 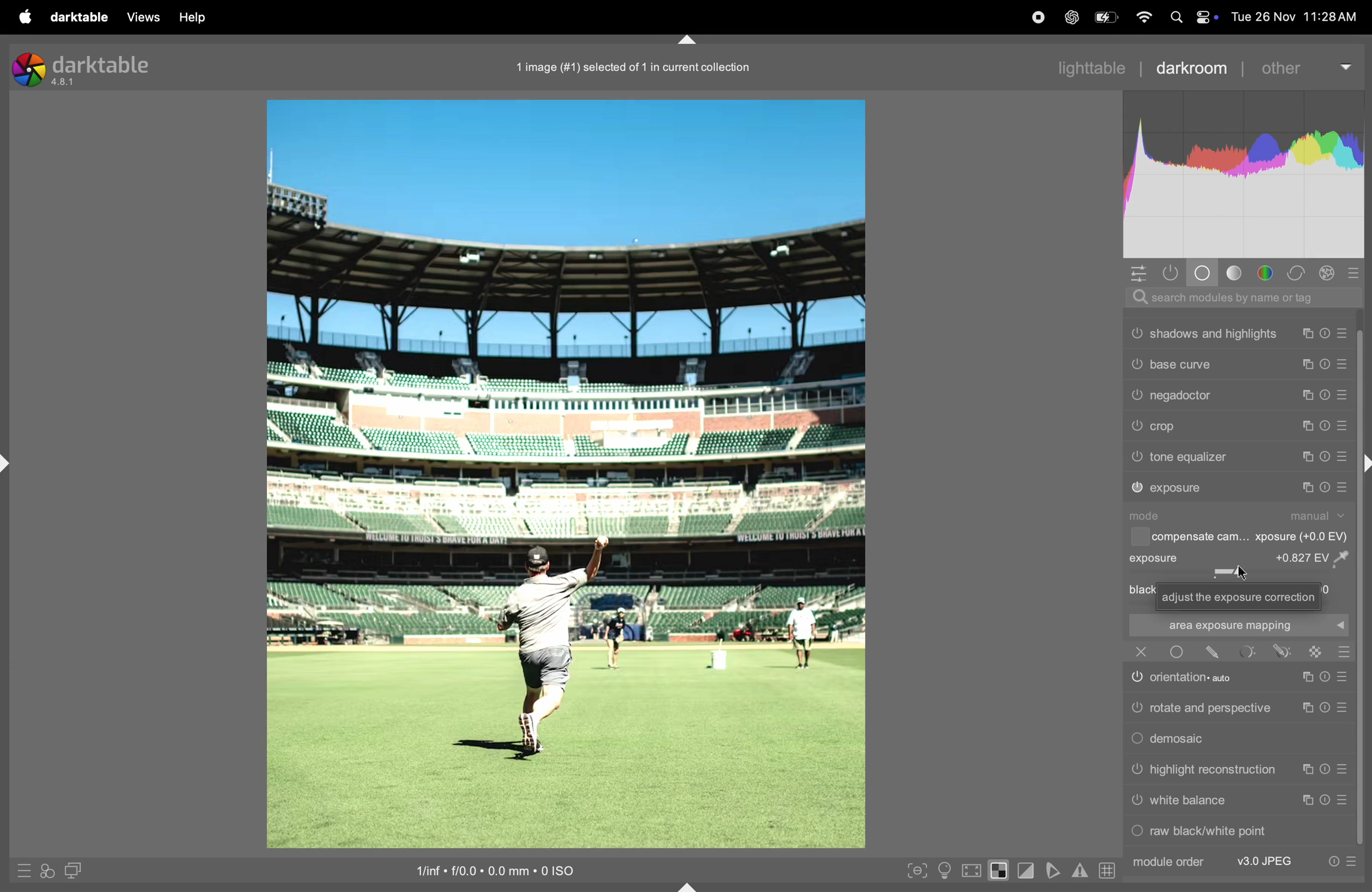 What do you see at coordinates (1245, 577) in the screenshot?
I see `cursor` at bounding box center [1245, 577].